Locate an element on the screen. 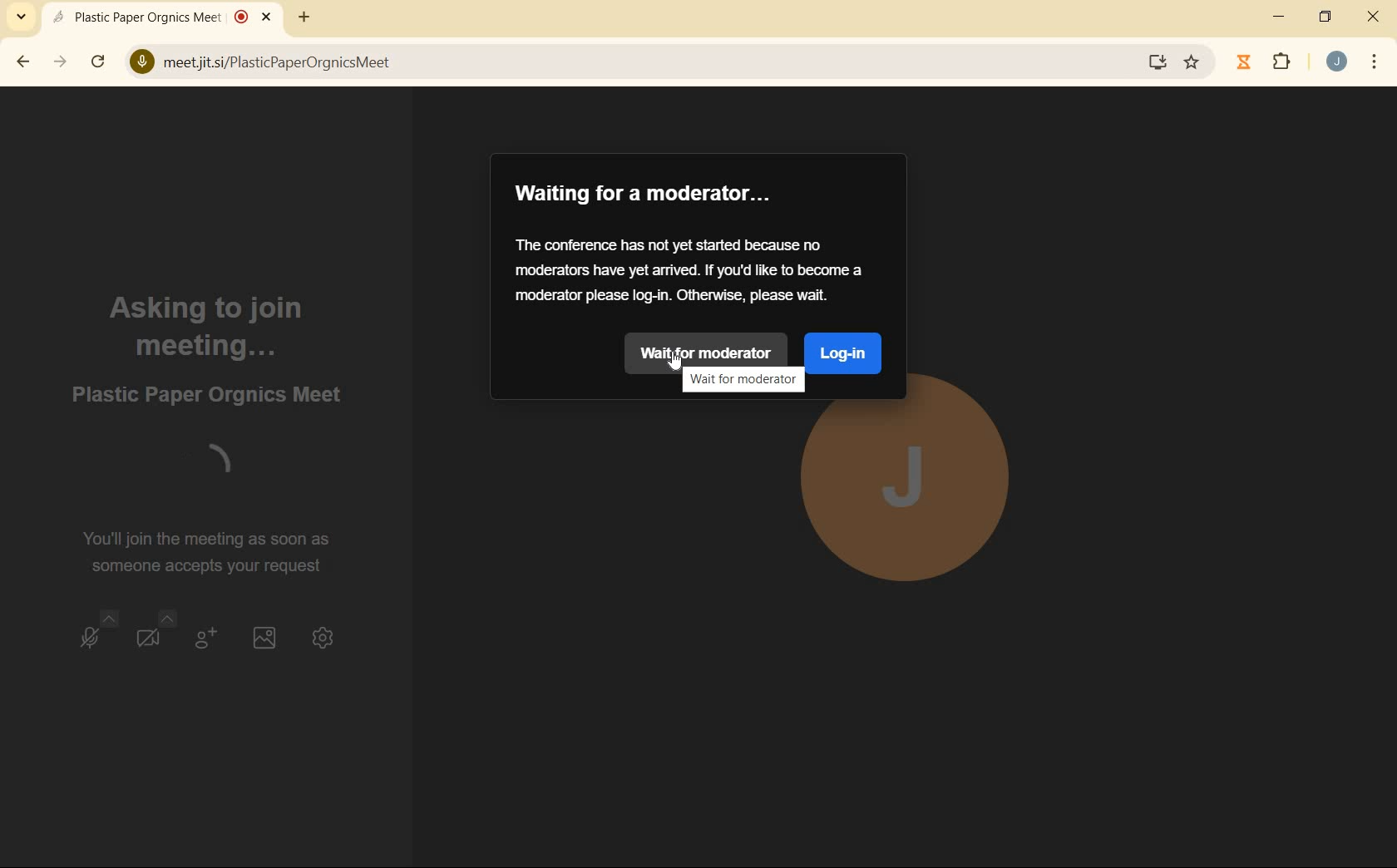 The image size is (1397, 868). settings is located at coordinates (326, 635).